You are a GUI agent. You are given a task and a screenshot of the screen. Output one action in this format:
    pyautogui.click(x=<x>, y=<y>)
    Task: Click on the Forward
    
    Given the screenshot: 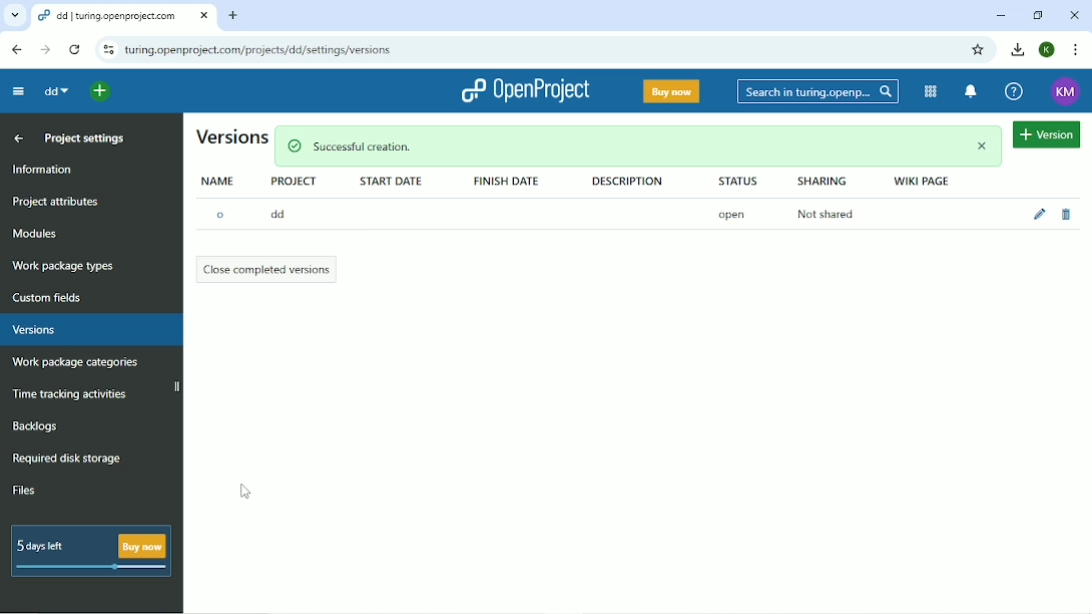 What is the action you would take?
    pyautogui.click(x=46, y=49)
    